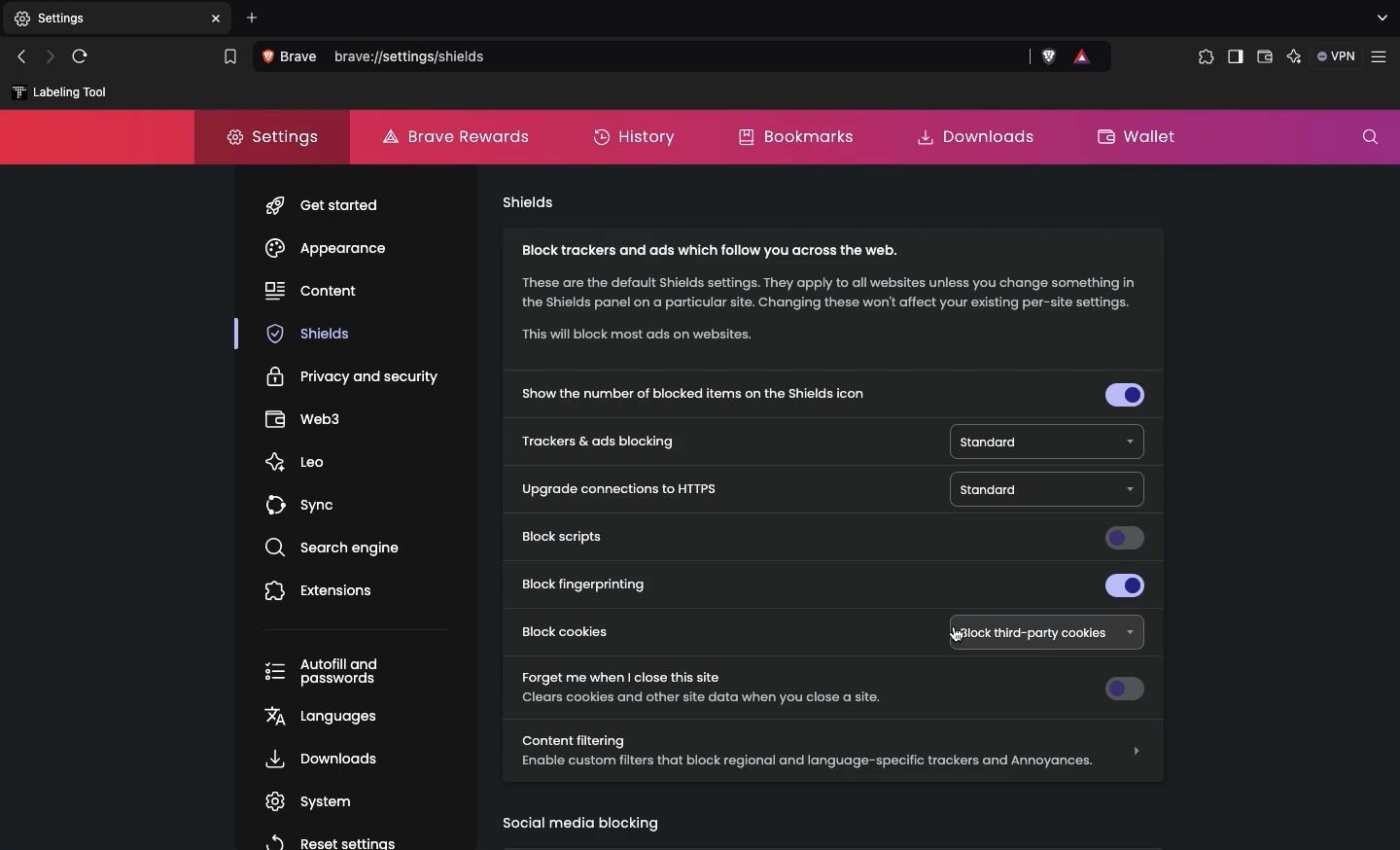 Image resolution: width=1400 pixels, height=850 pixels. Describe the element at coordinates (299, 464) in the screenshot. I see `leo` at that location.